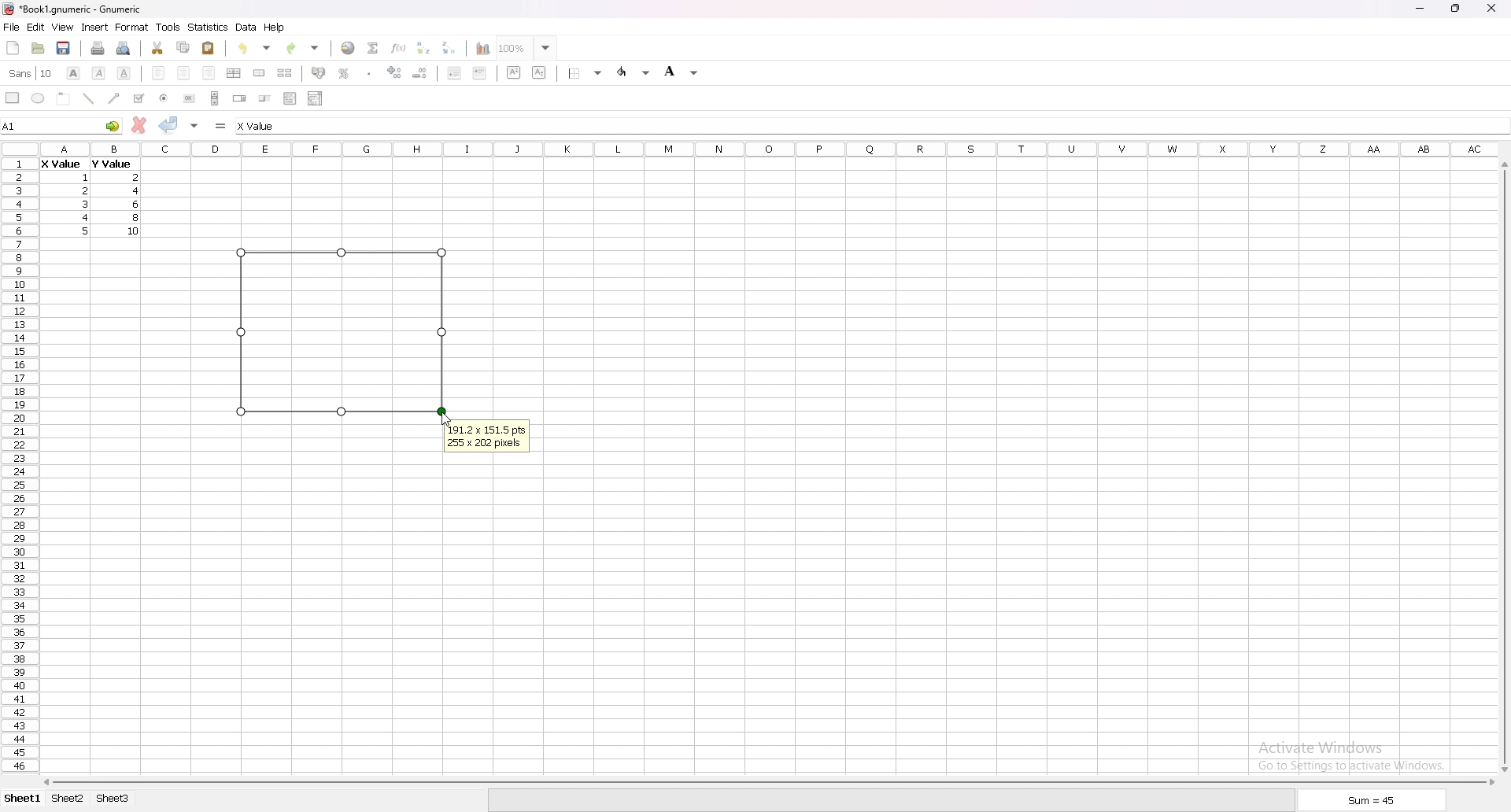 The height and width of the screenshot is (812, 1511). What do you see at coordinates (344, 73) in the screenshot?
I see `percentage` at bounding box center [344, 73].